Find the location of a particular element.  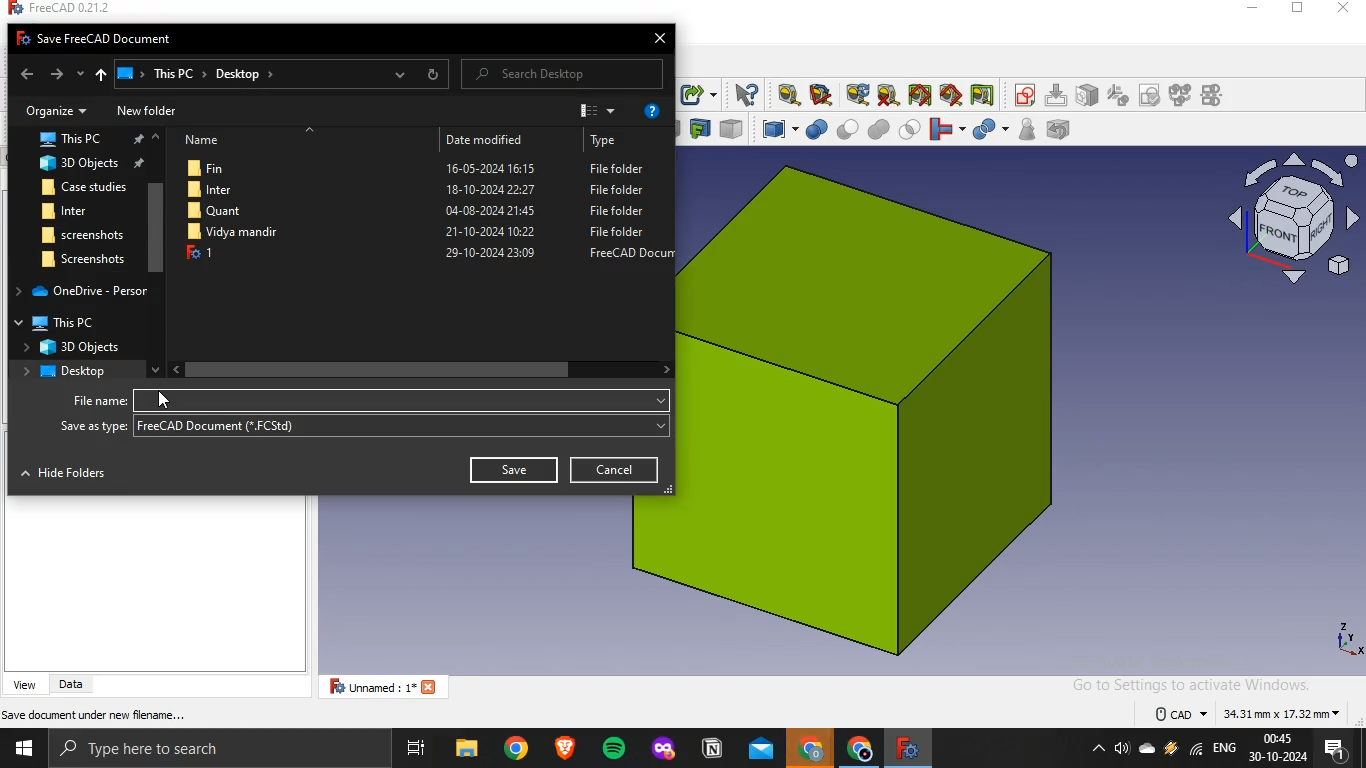

refresh is located at coordinates (857, 95).